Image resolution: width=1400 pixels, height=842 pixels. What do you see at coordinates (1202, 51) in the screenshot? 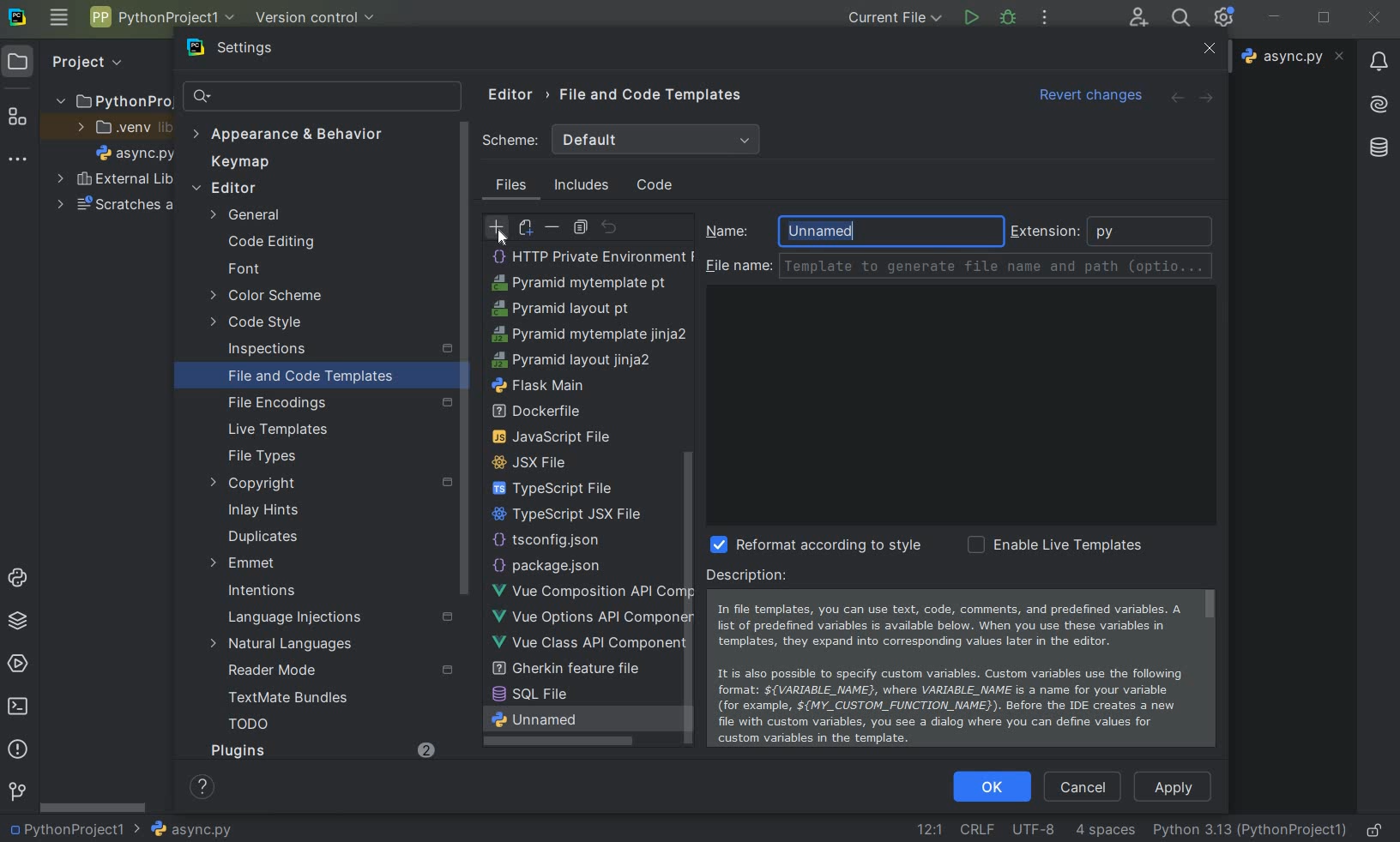
I see `close` at bounding box center [1202, 51].